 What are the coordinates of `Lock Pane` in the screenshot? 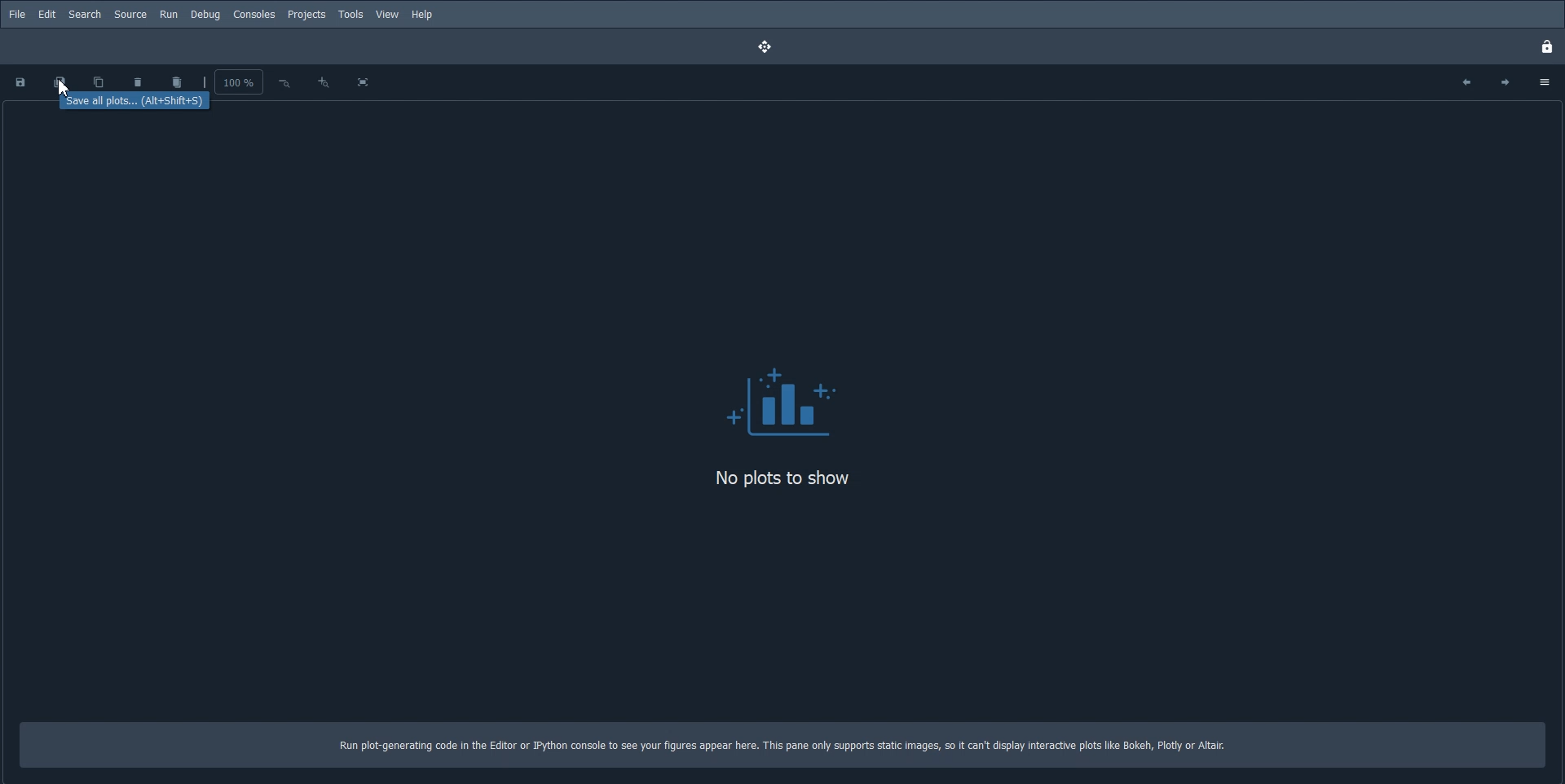 It's located at (1550, 47).